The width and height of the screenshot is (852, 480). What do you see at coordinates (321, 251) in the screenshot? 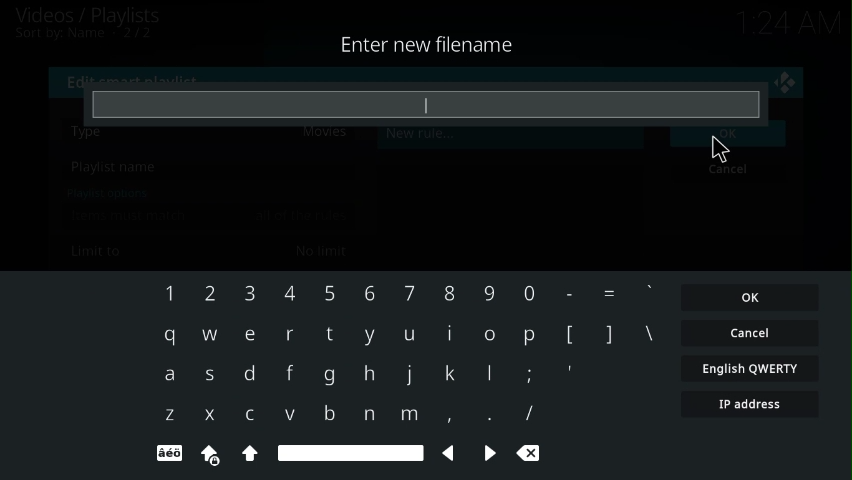
I see `no limit` at bounding box center [321, 251].